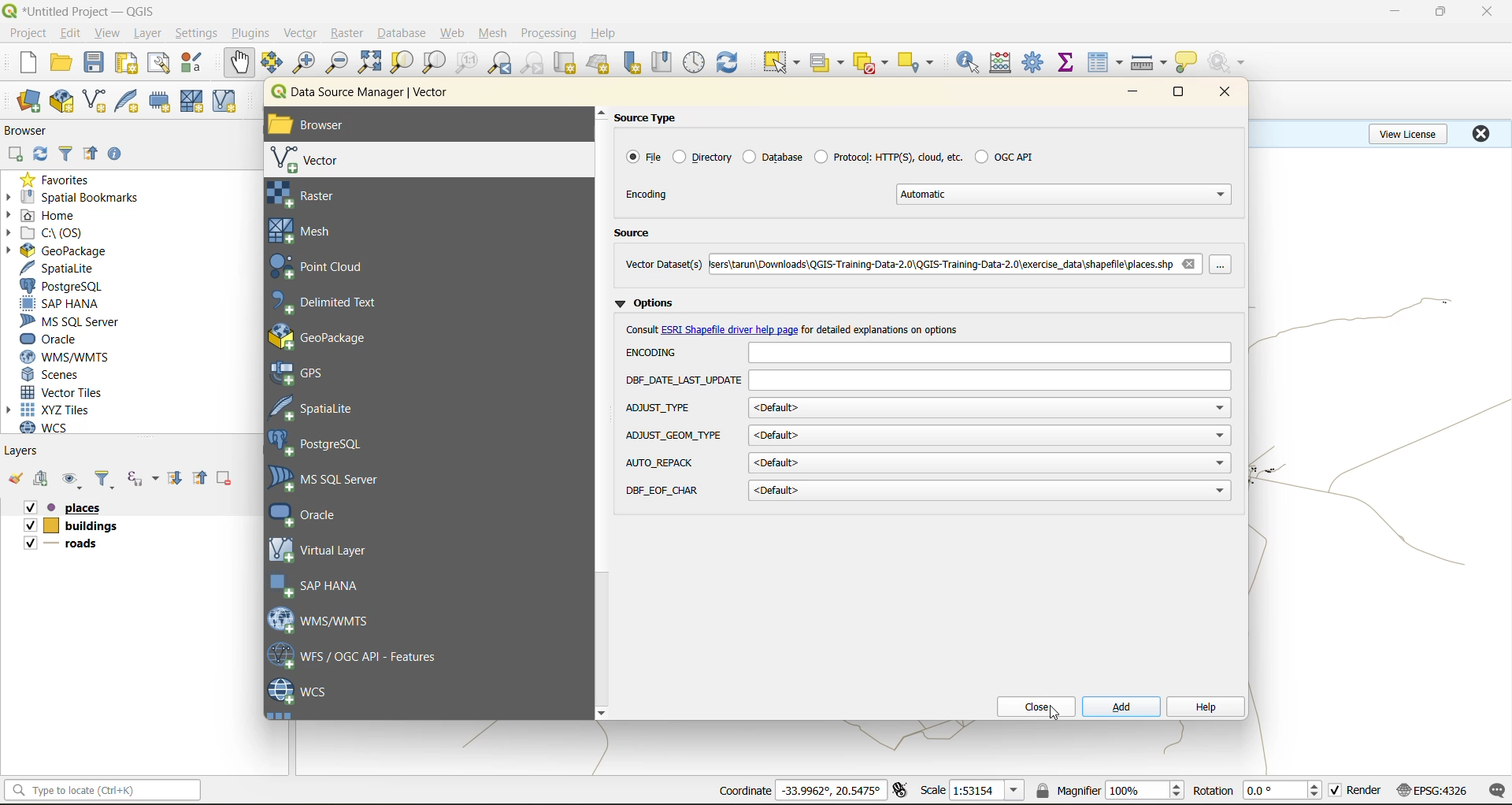  Describe the element at coordinates (65, 391) in the screenshot. I see `vector tiles` at that location.